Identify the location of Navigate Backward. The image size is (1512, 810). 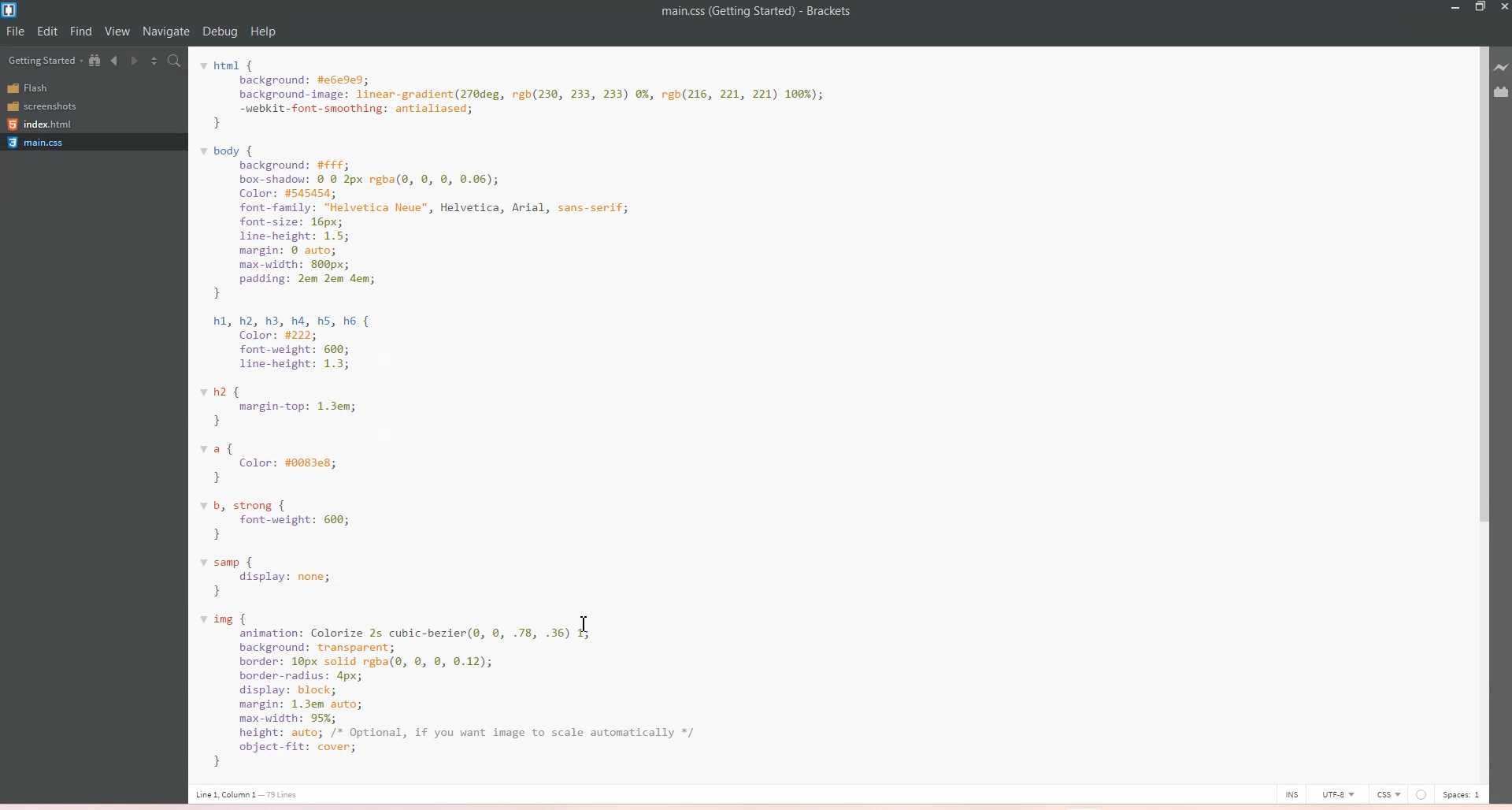
(116, 62).